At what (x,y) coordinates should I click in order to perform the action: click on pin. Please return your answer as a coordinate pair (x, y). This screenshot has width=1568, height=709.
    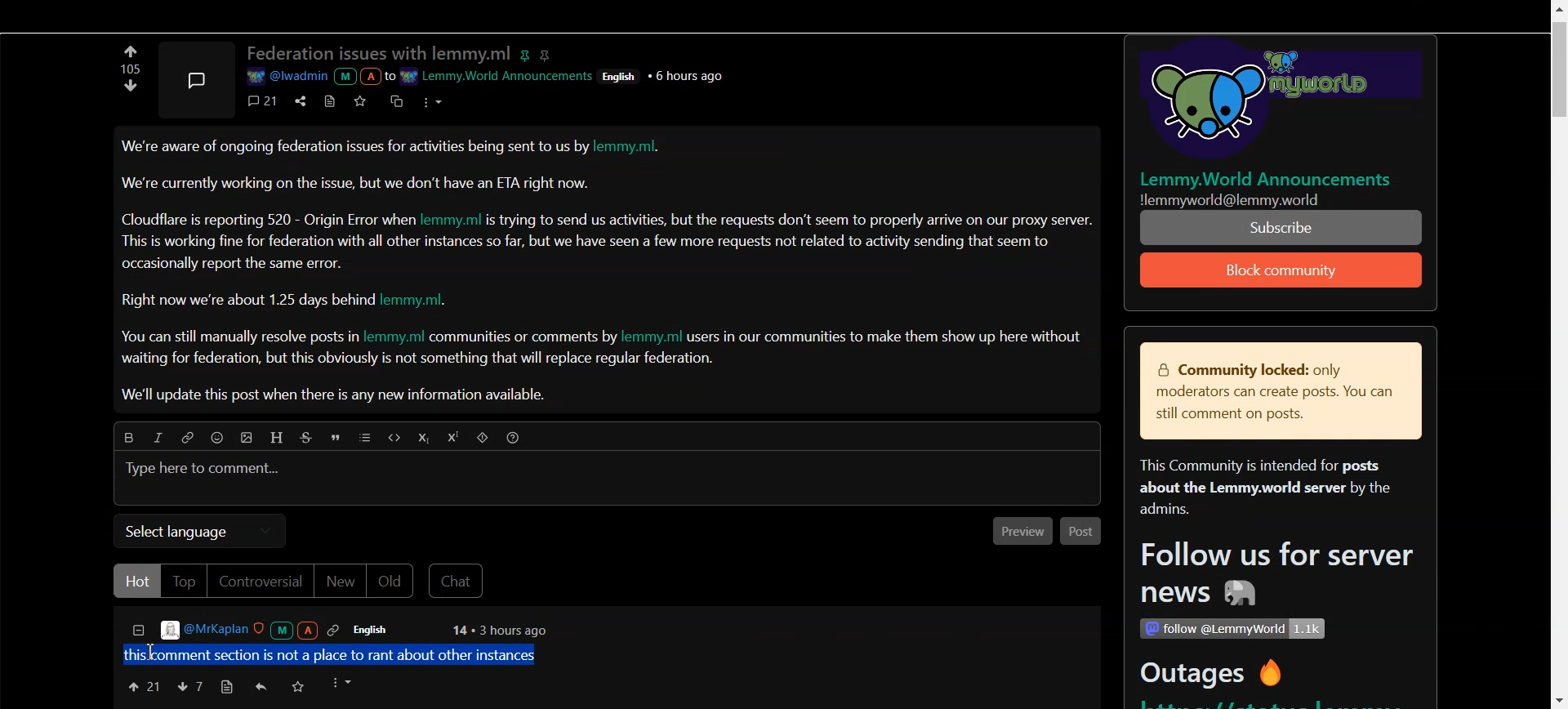
    Looking at the image, I should click on (528, 52).